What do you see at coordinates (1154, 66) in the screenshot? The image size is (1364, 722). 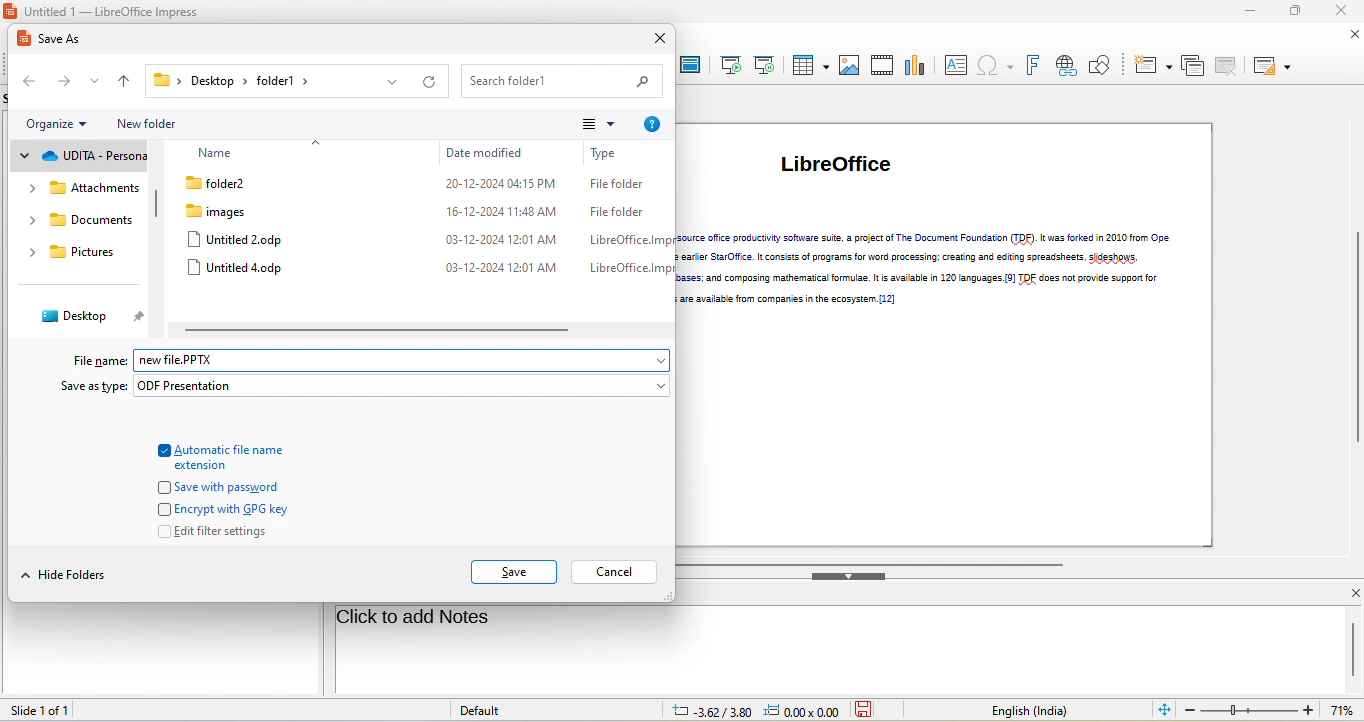 I see `new slide` at bounding box center [1154, 66].